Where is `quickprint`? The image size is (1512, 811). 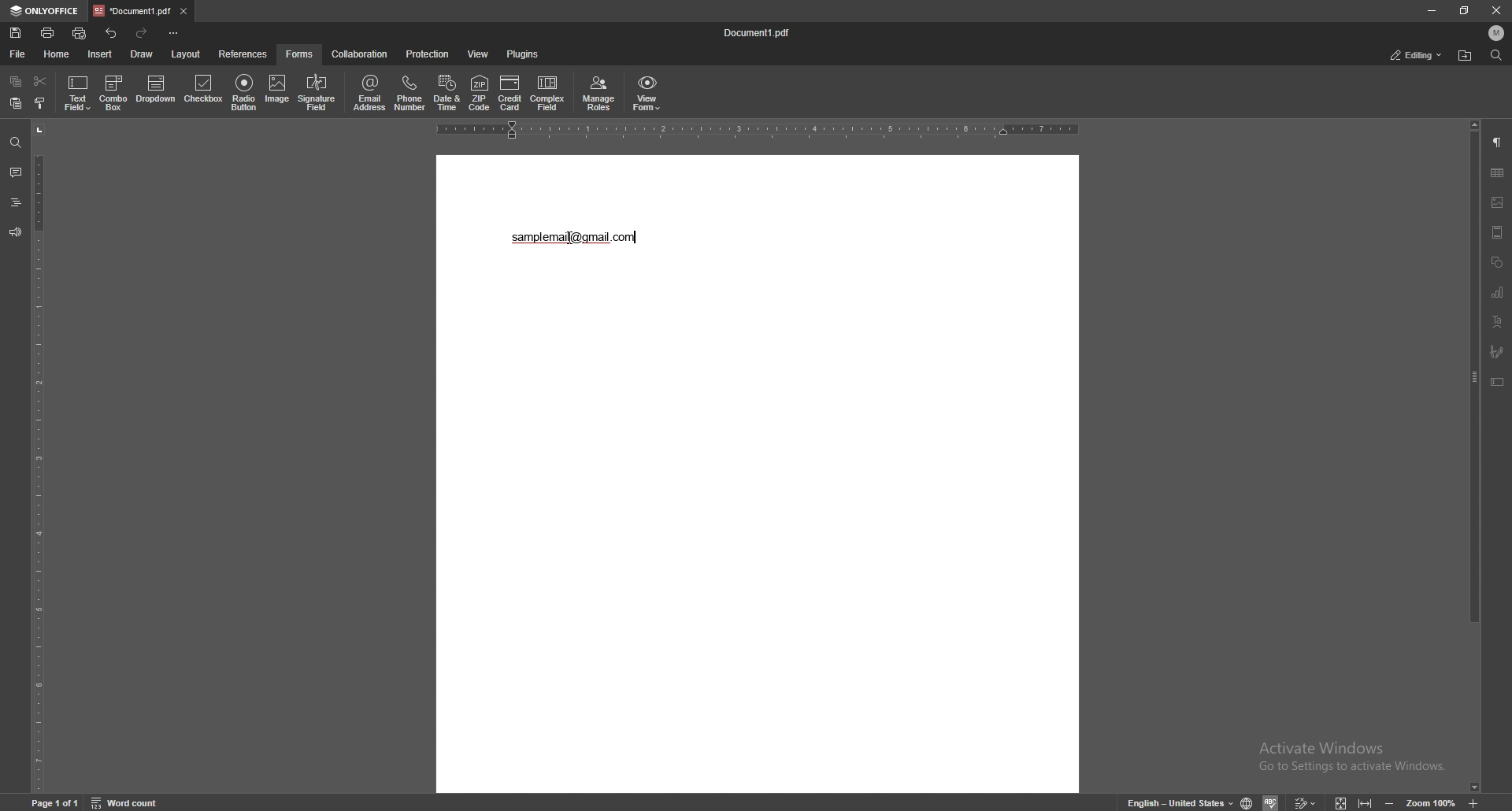 quickprint is located at coordinates (80, 33).